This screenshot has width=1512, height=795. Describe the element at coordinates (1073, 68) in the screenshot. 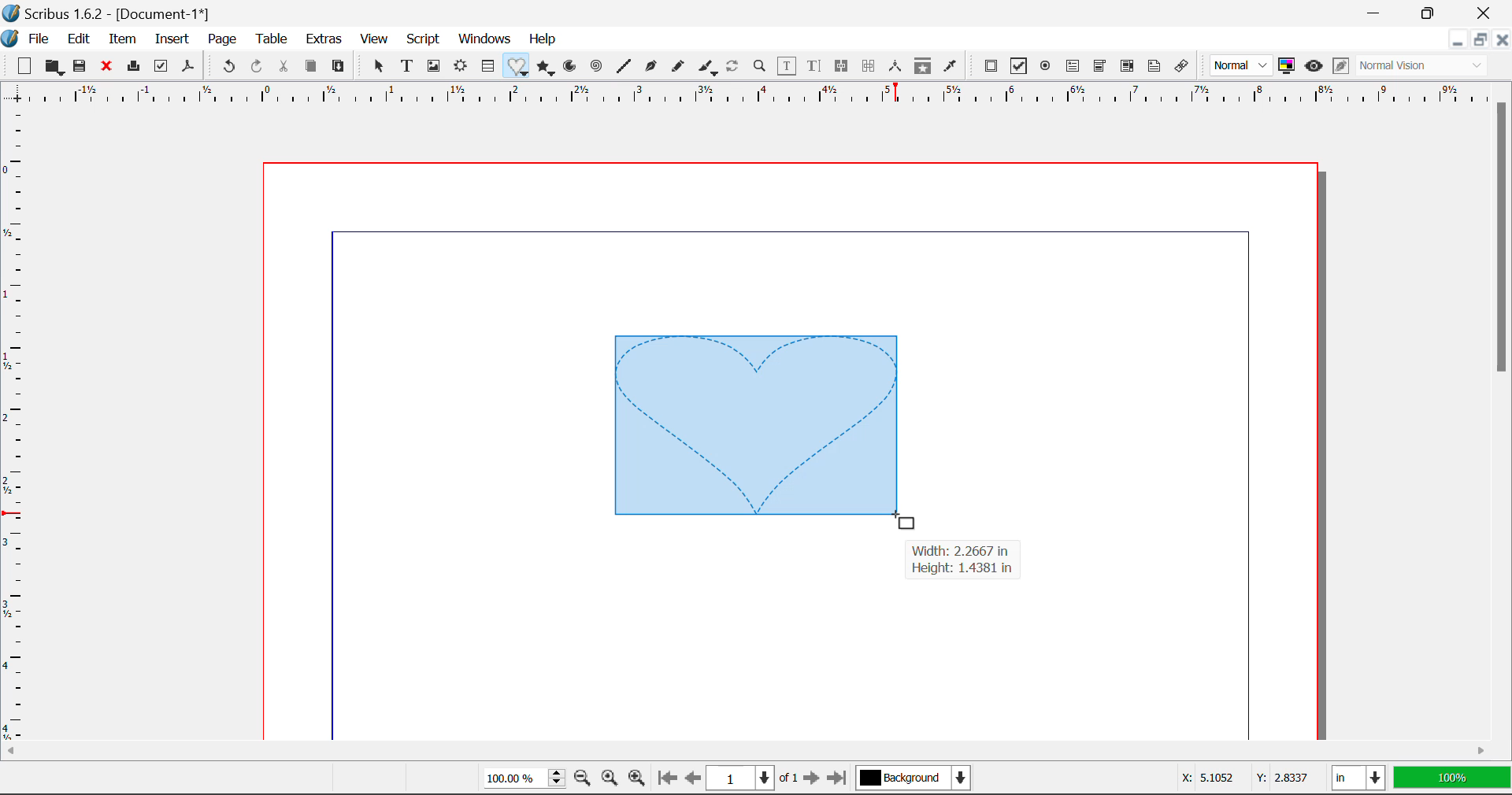

I see `Pdf Text Field` at that location.